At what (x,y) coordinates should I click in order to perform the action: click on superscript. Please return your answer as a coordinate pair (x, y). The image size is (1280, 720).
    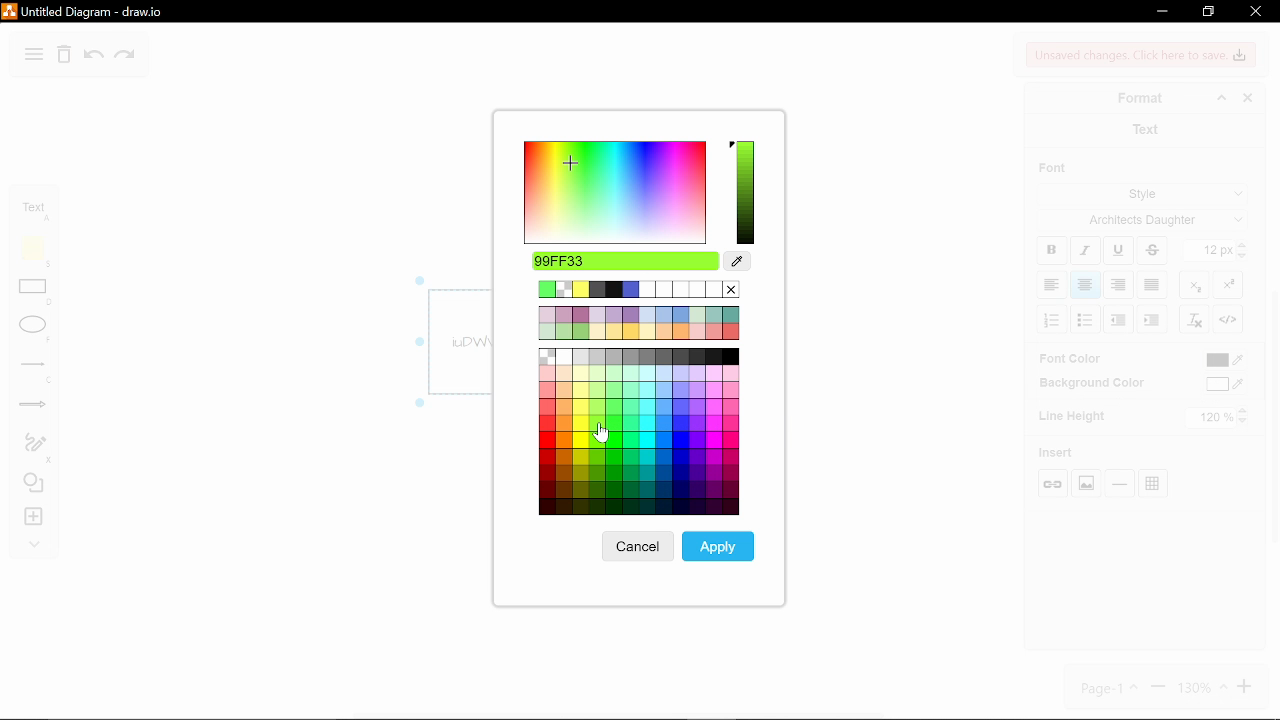
    Looking at the image, I should click on (1232, 285).